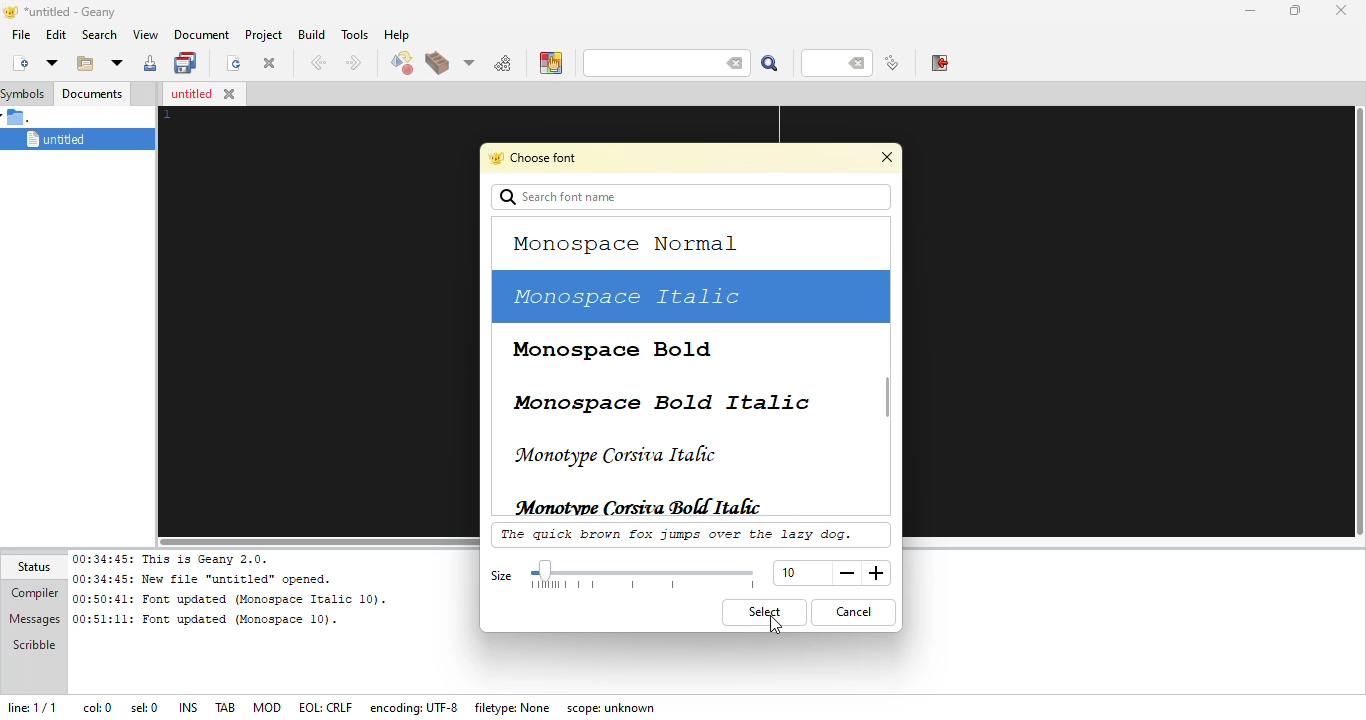  What do you see at coordinates (9, 11) in the screenshot?
I see `logo` at bounding box center [9, 11].